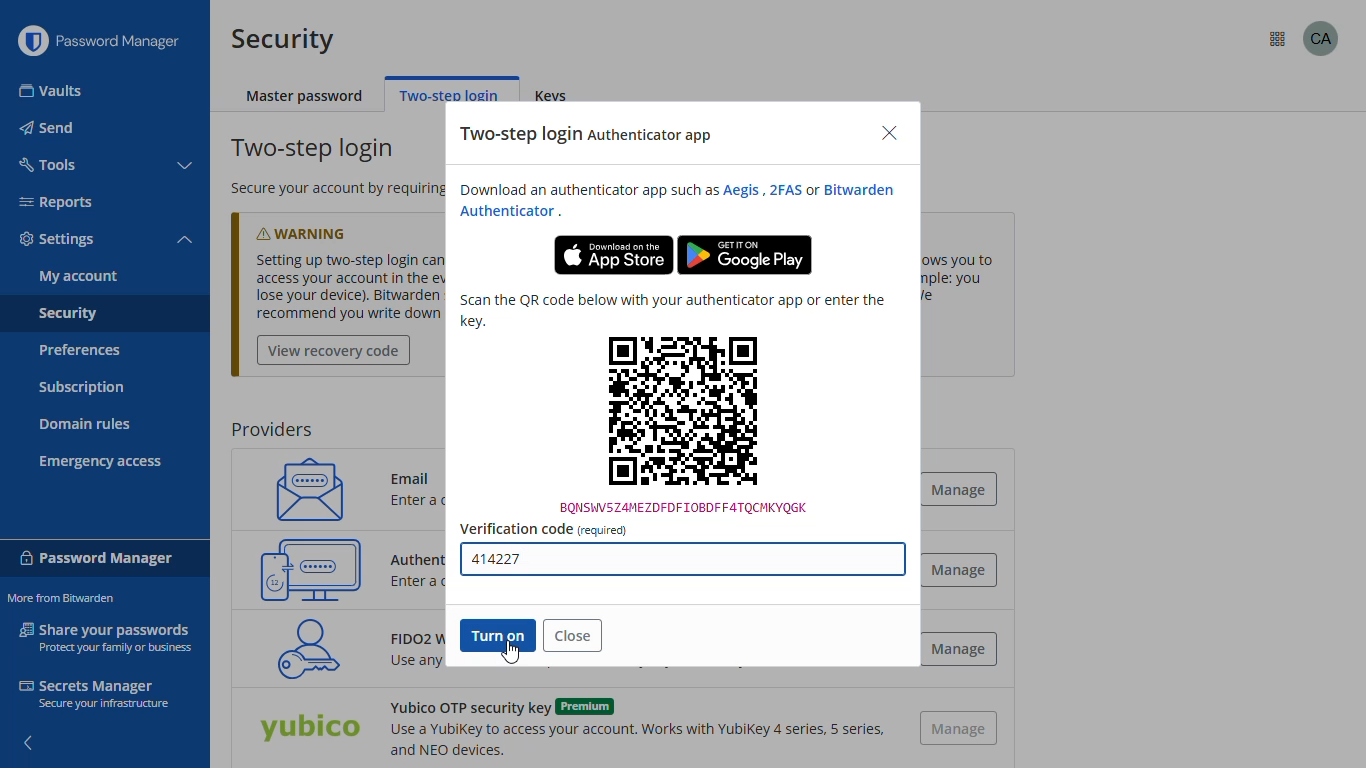  Describe the element at coordinates (573, 635) in the screenshot. I see `close` at that location.